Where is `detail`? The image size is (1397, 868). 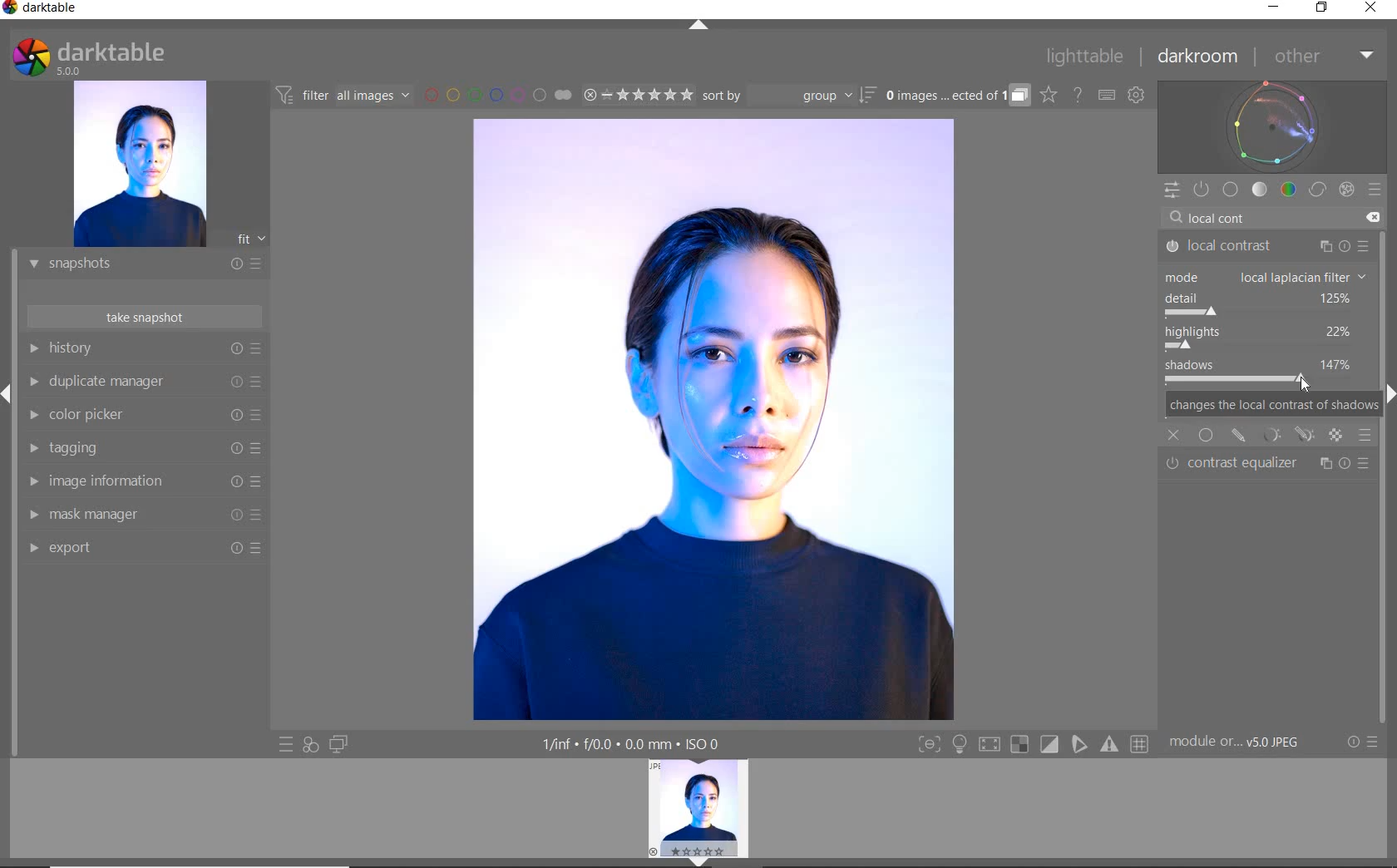
detail is located at coordinates (1266, 304).